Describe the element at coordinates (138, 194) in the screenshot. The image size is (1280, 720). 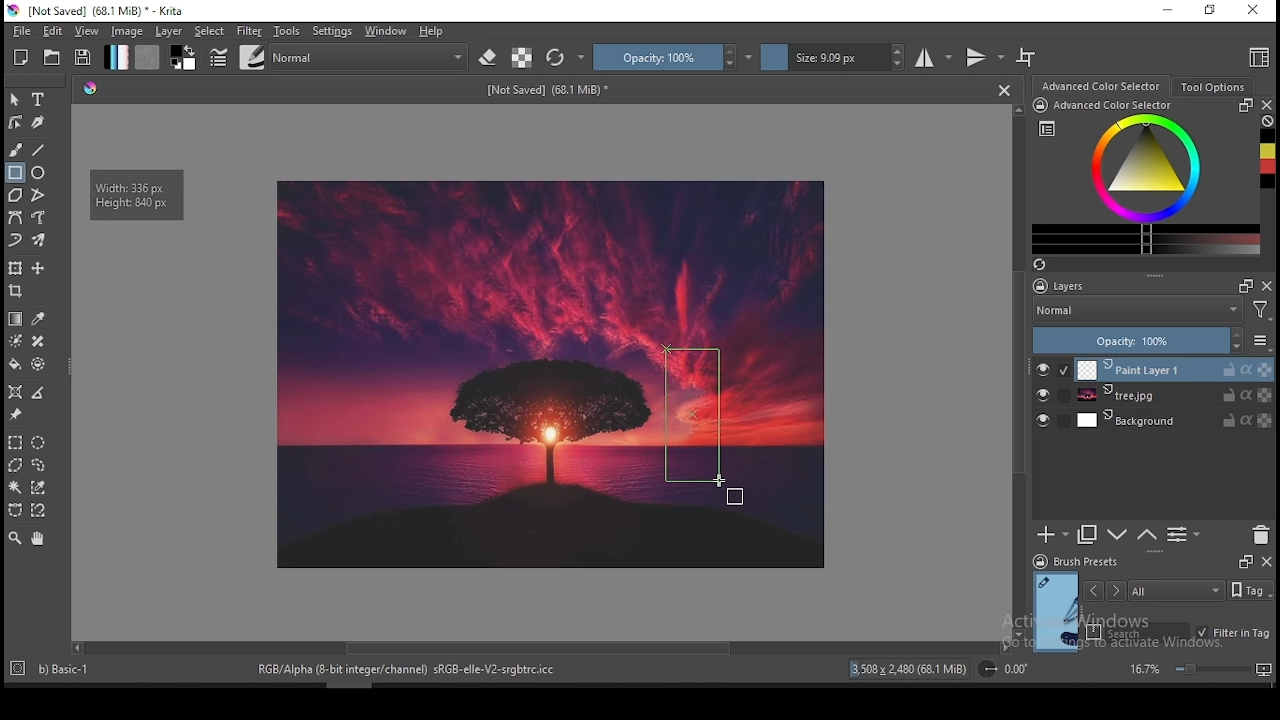
I see `width and height` at that location.